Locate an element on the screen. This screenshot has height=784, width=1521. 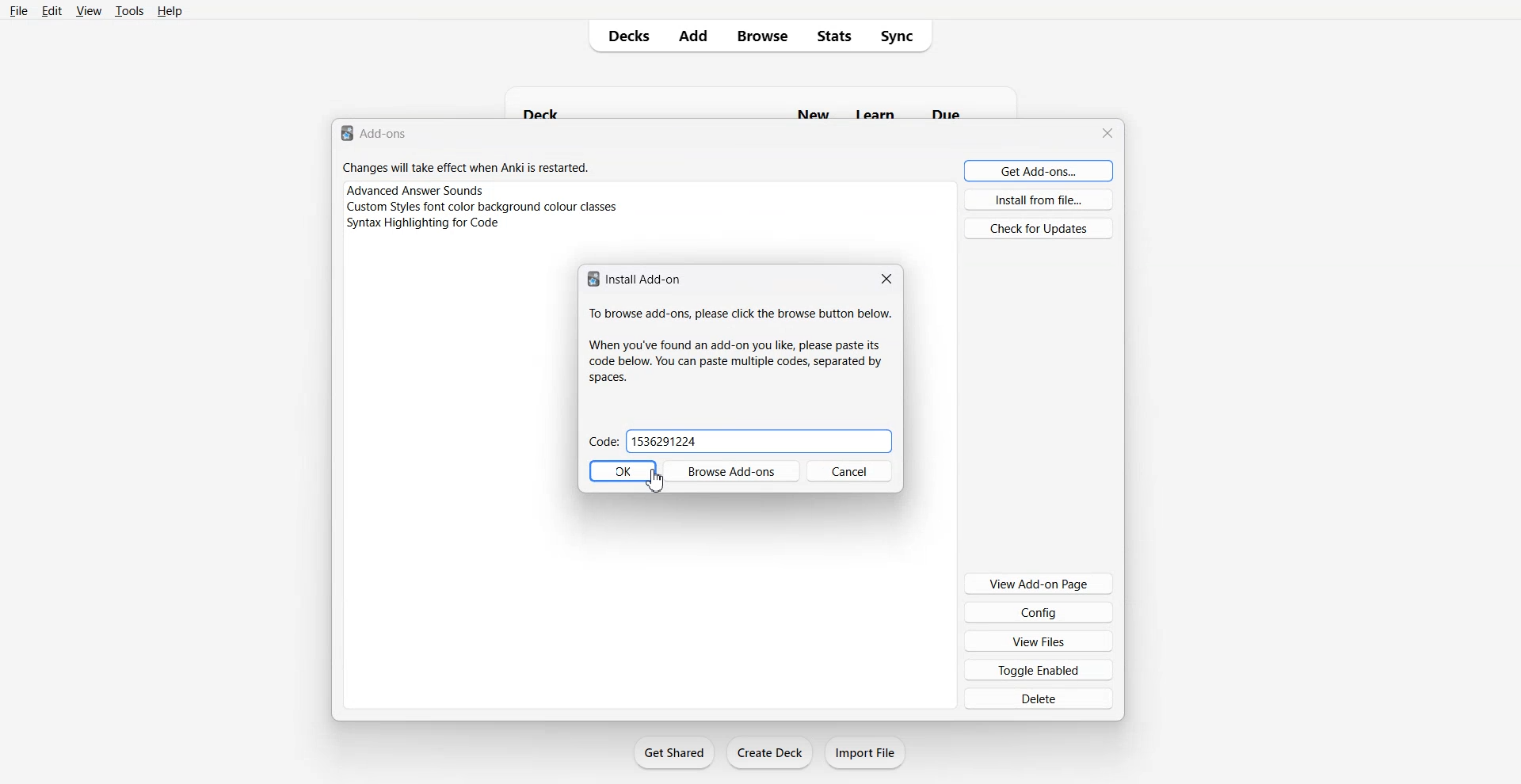
Sync is located at coordinates (902, 36).